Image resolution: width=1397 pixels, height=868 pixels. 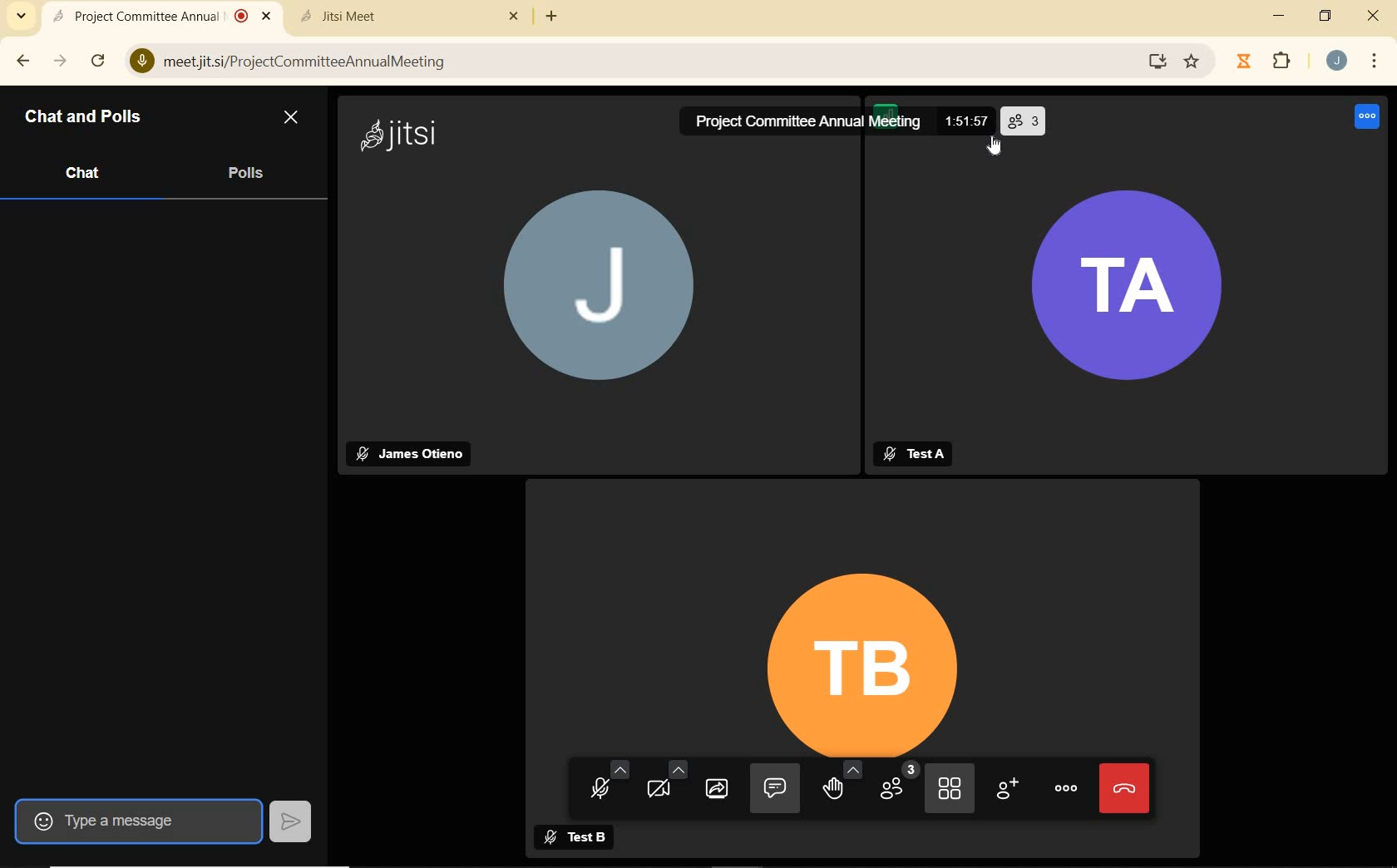 What do you see at coordinates (1372, 60) in the screenshot?
I see `customize and control google chrome ` at bounding box center [1372, 60].